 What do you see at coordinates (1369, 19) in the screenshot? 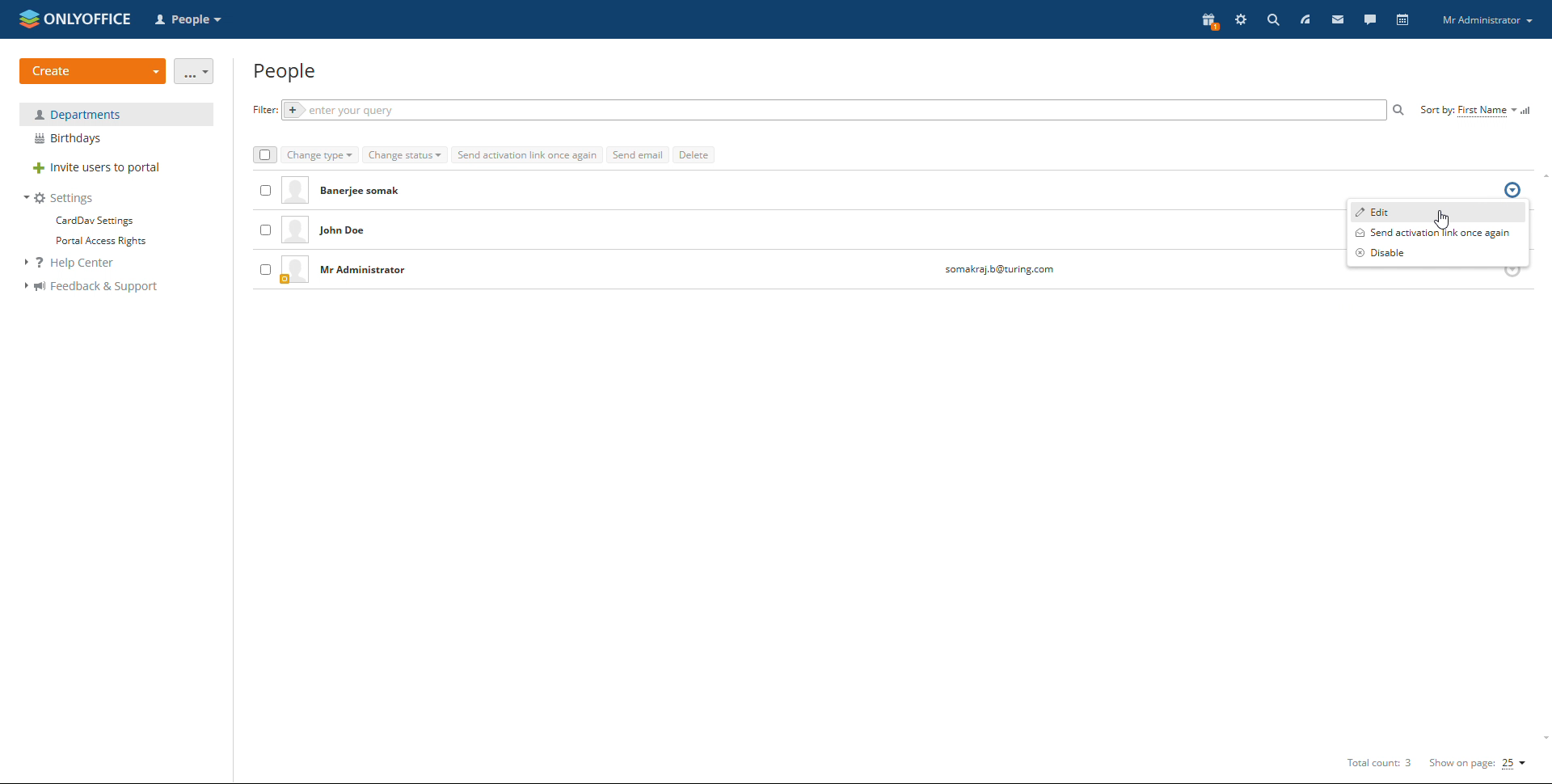
I see `talk` at bounding box center [1369, 19].